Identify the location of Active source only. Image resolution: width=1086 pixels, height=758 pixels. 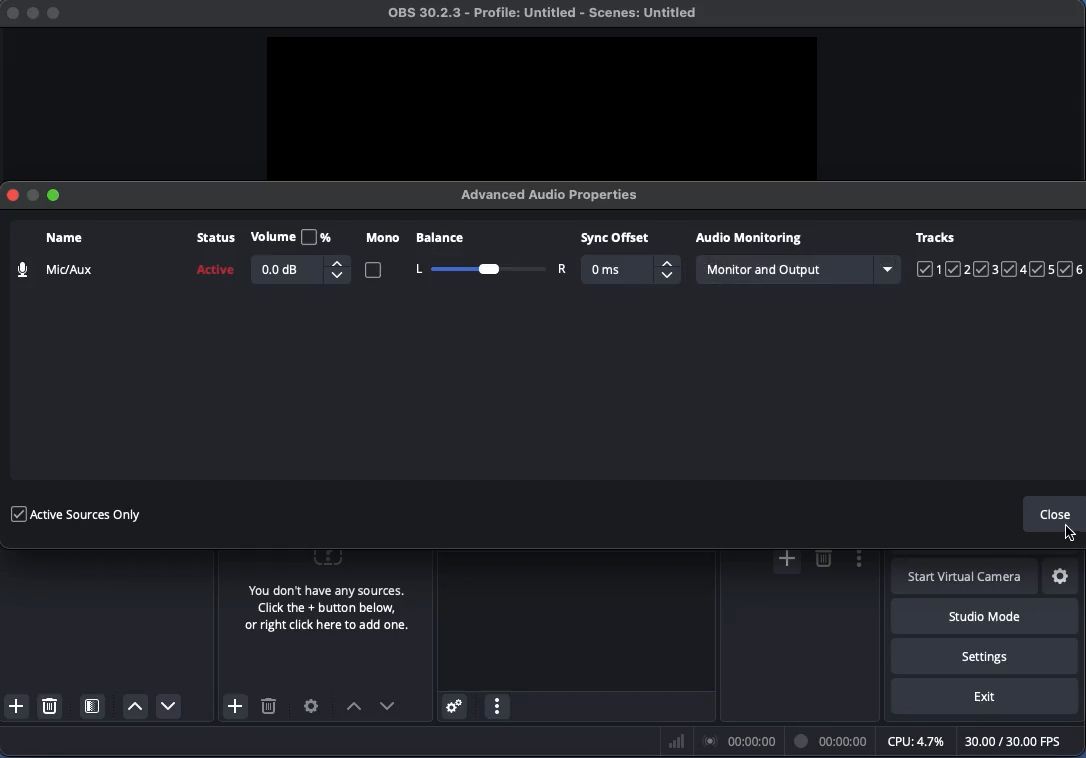
(75, 512).